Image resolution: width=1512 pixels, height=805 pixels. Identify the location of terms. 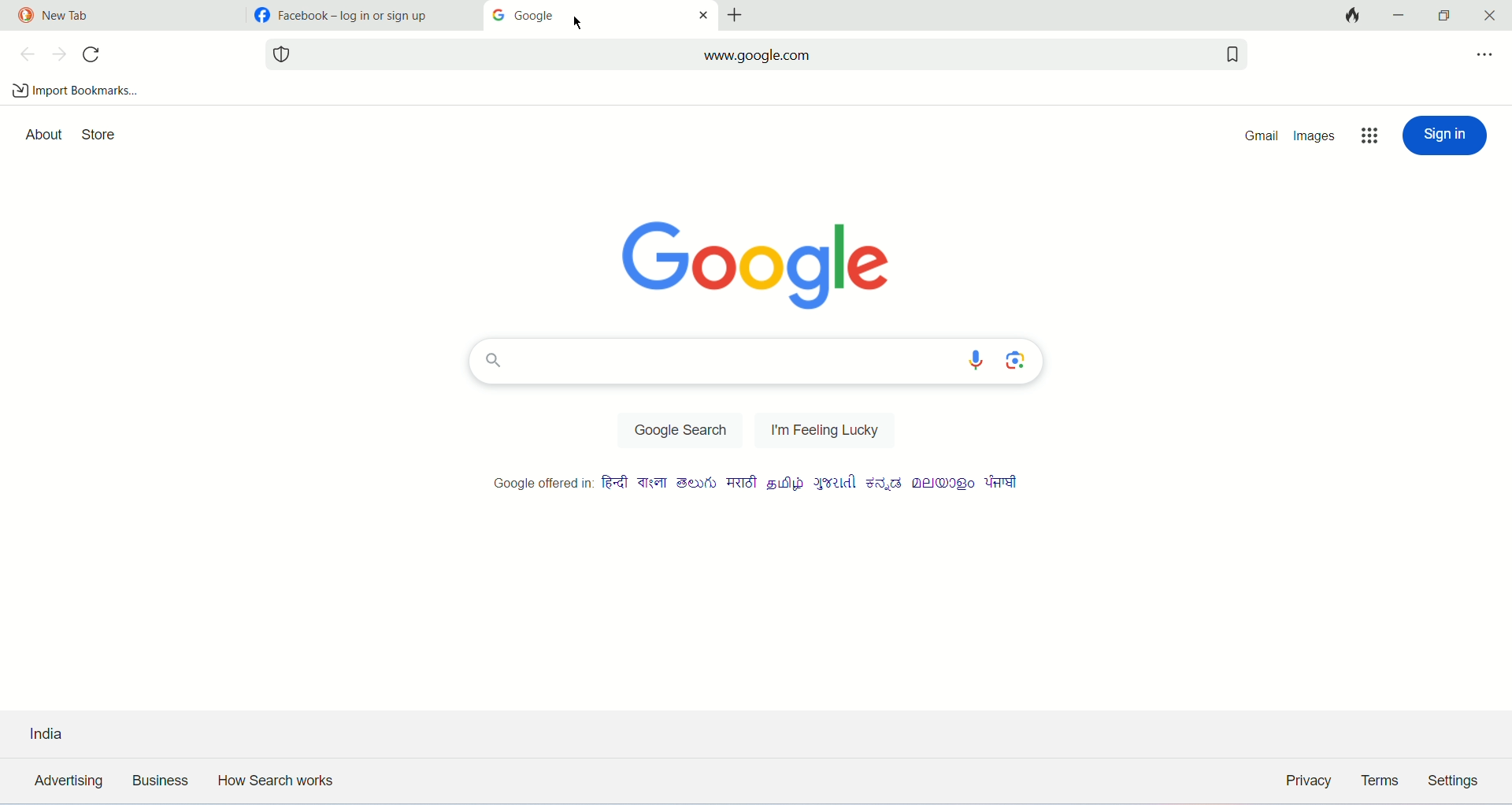
(1383, 780).